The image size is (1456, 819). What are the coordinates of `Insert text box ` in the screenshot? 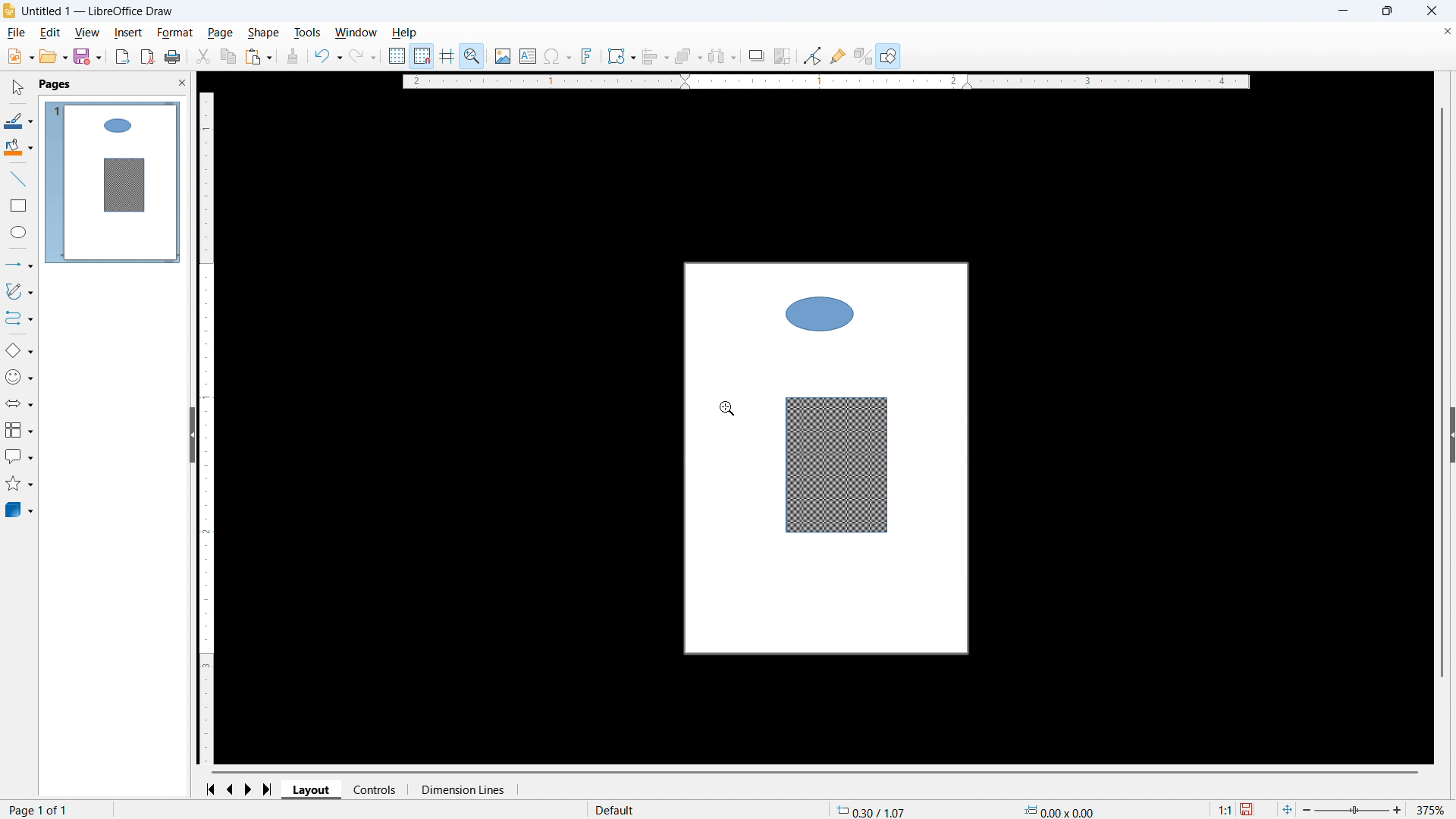 It's located at (528, 55).